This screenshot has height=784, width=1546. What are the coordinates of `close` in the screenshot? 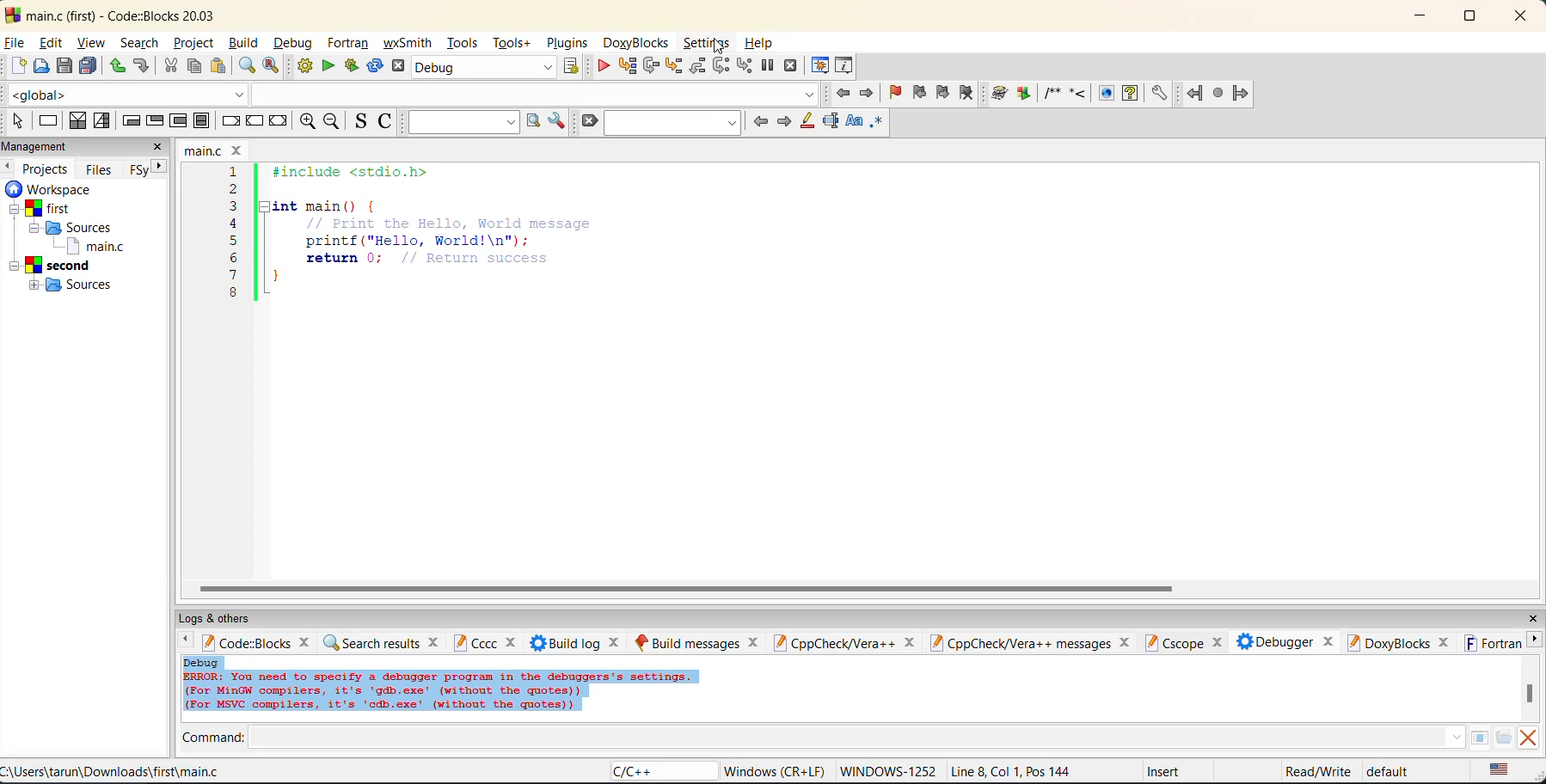 It's located at (1536, 620).